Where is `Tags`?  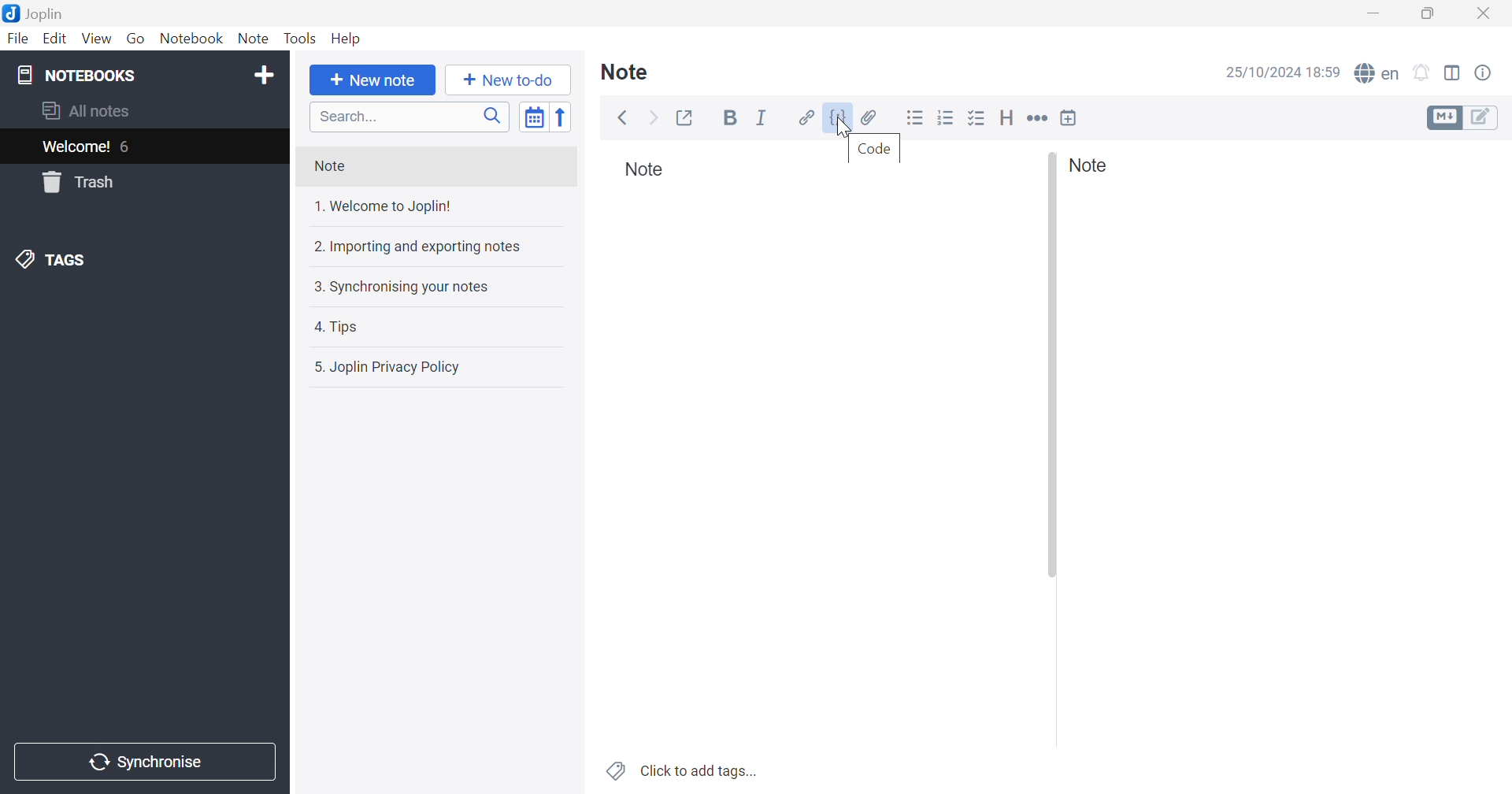 Tags is located at coordinates (614, 771).